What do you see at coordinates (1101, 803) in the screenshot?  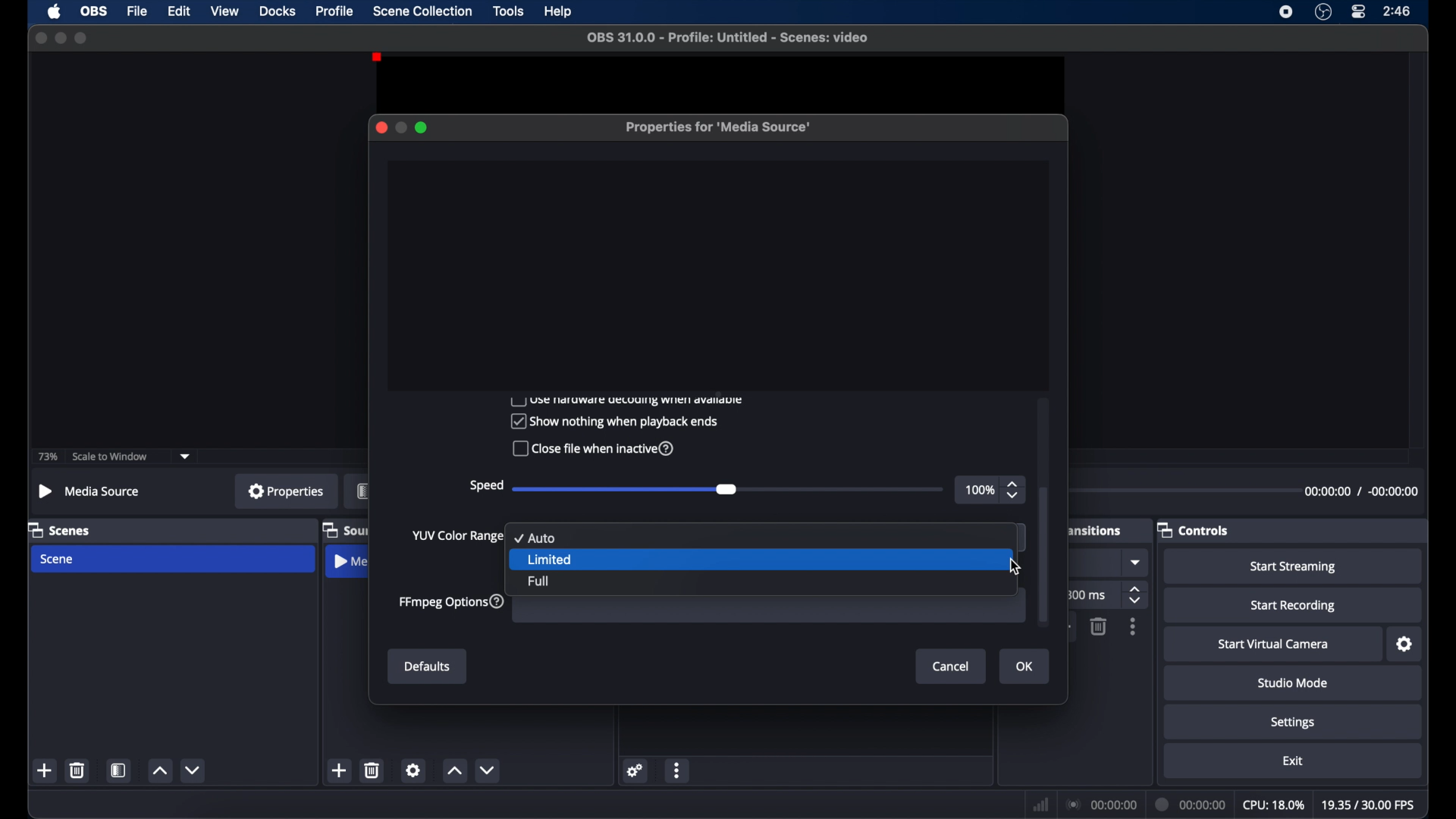 I see `connection` at bounding box center [1101, 803].